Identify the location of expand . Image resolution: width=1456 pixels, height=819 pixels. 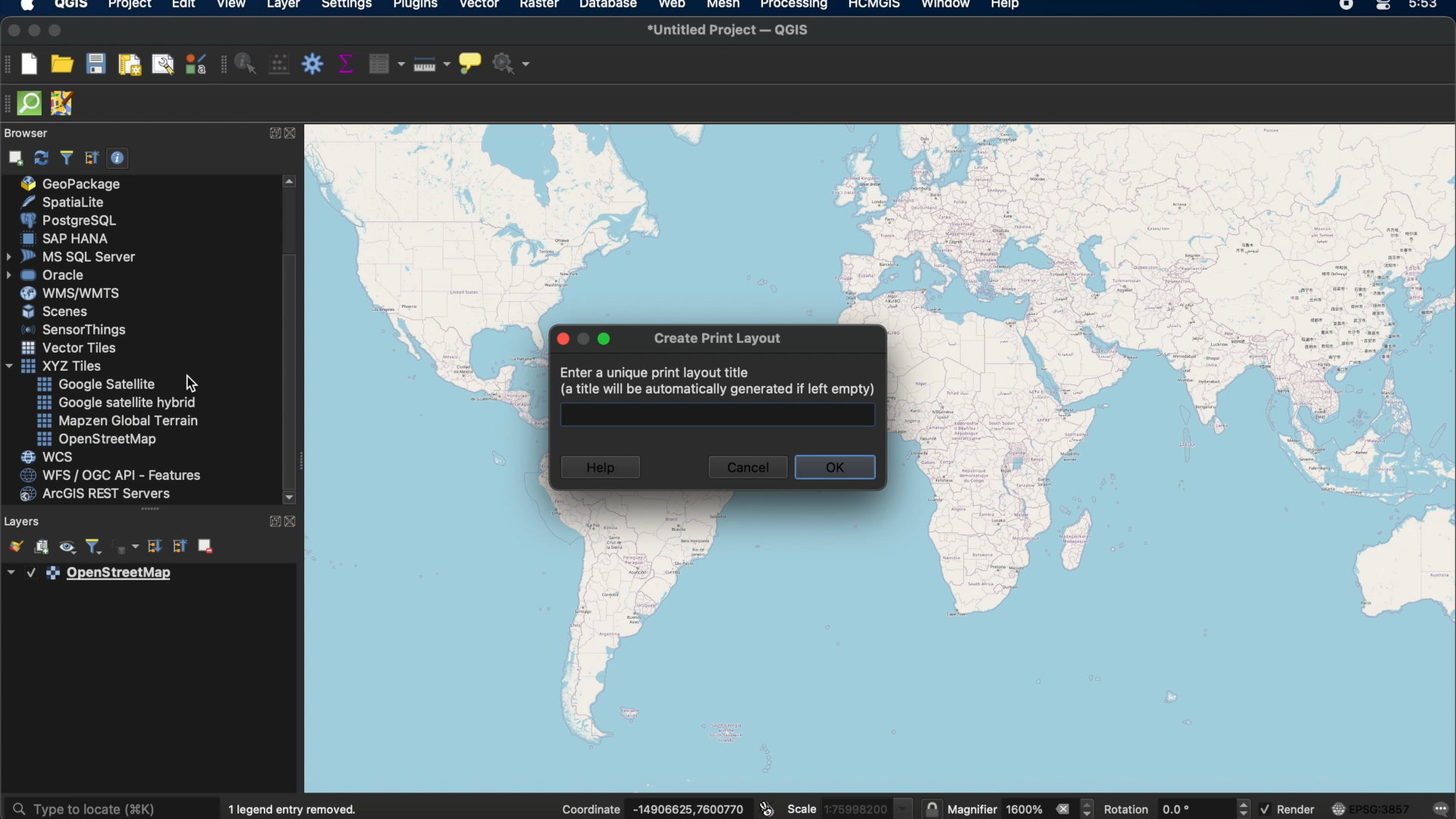
(272, 520).